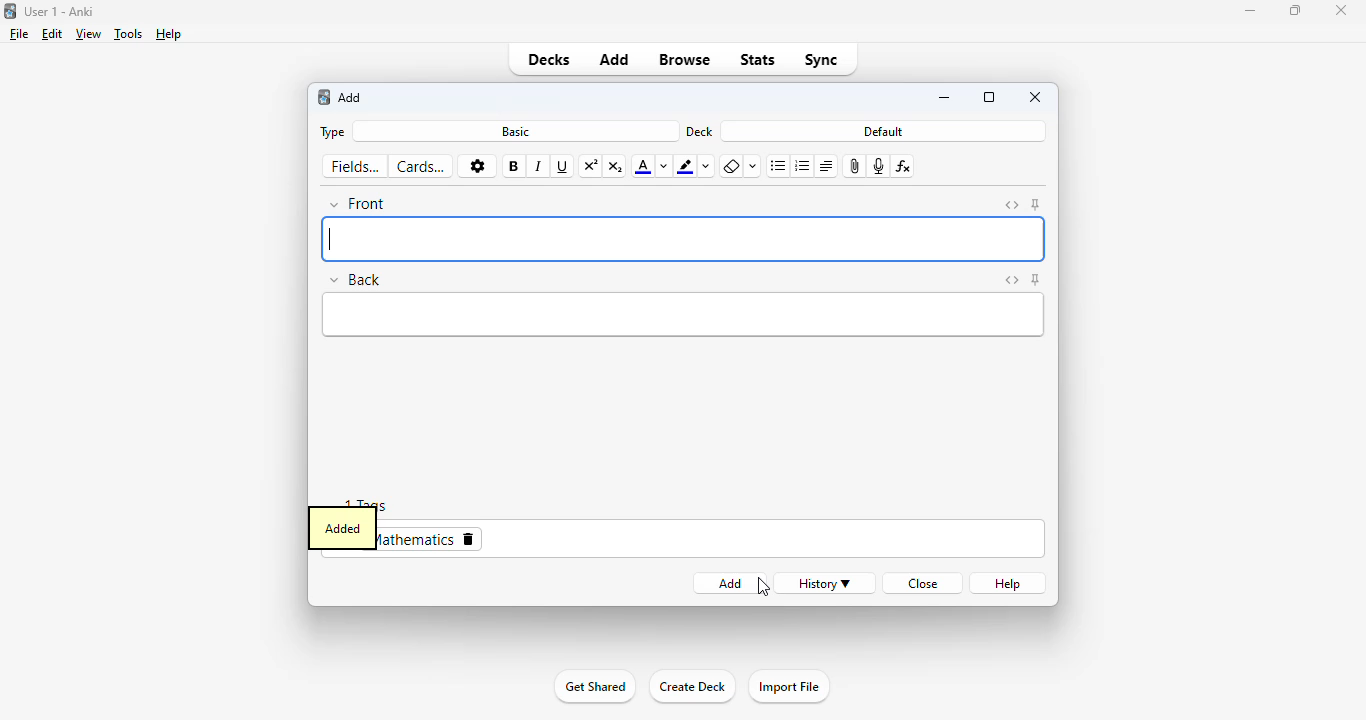 The width and height of the screenshot is (1366, 720). I want to click on close, so click(1341, 10).